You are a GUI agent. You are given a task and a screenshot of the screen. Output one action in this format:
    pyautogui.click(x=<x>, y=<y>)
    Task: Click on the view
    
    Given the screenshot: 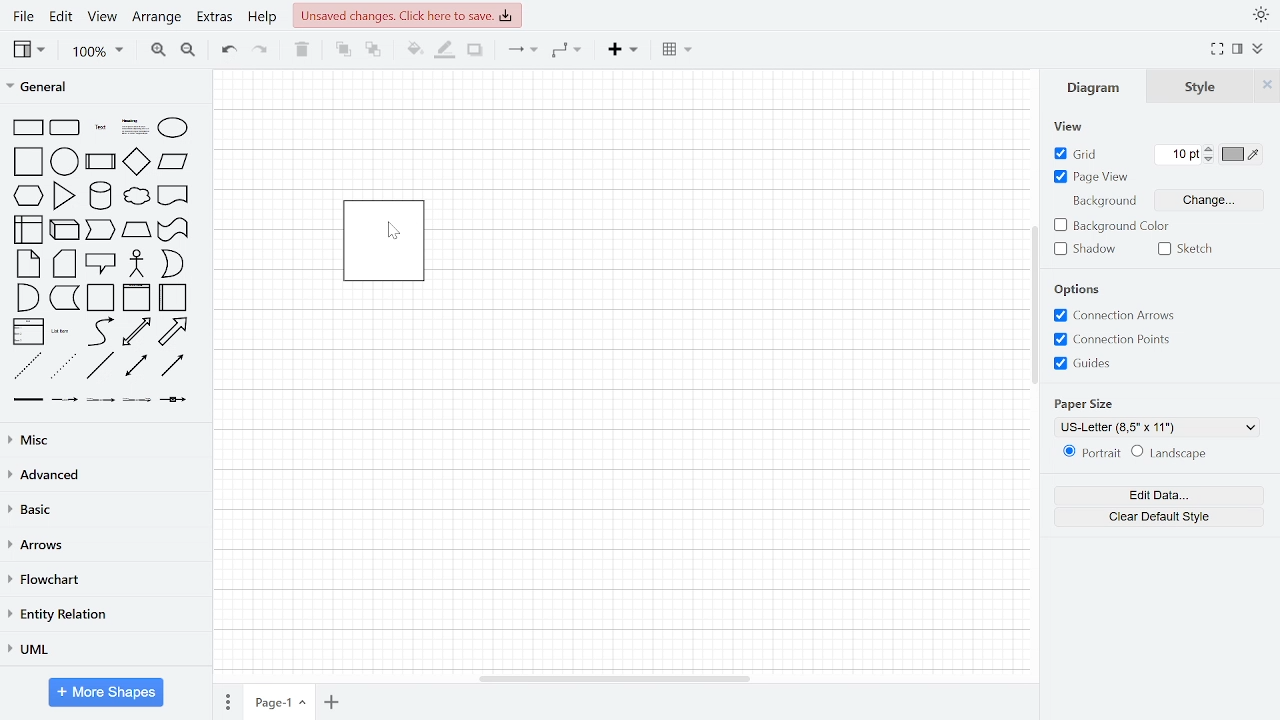 What is the action you would take?
    pyautogui.click(x=30, y=52)
    